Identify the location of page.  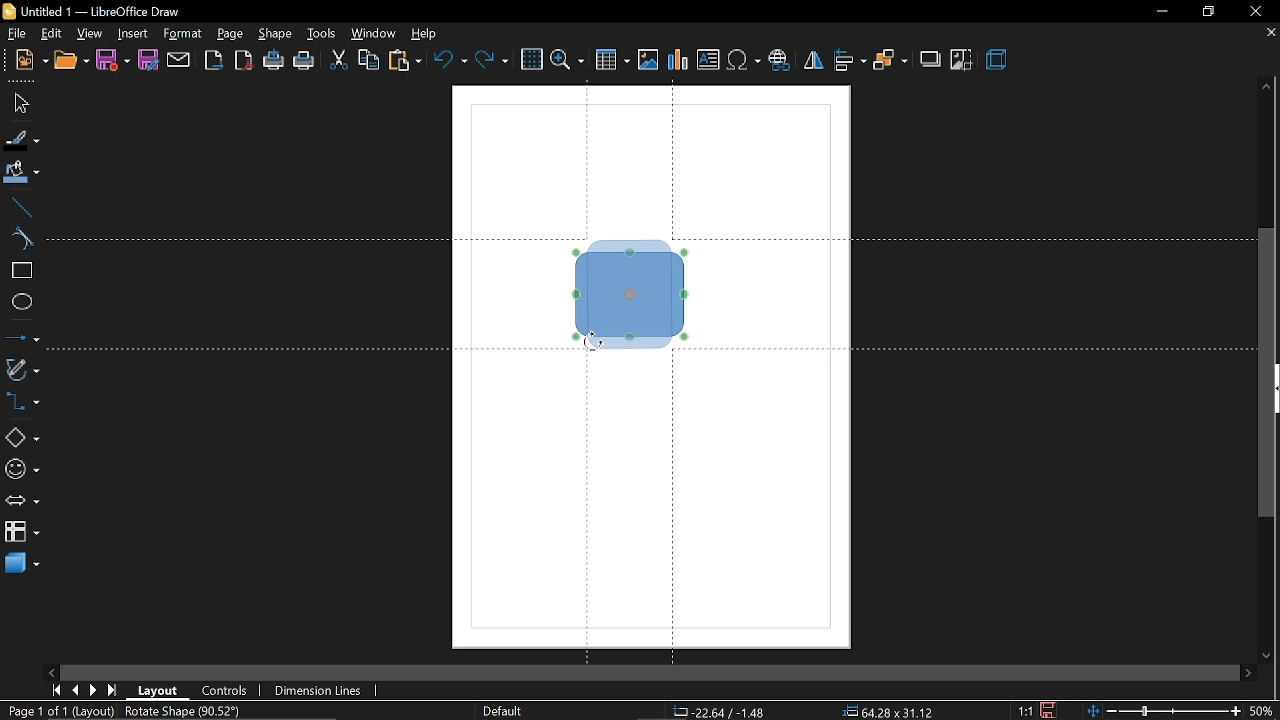
(232, 34).